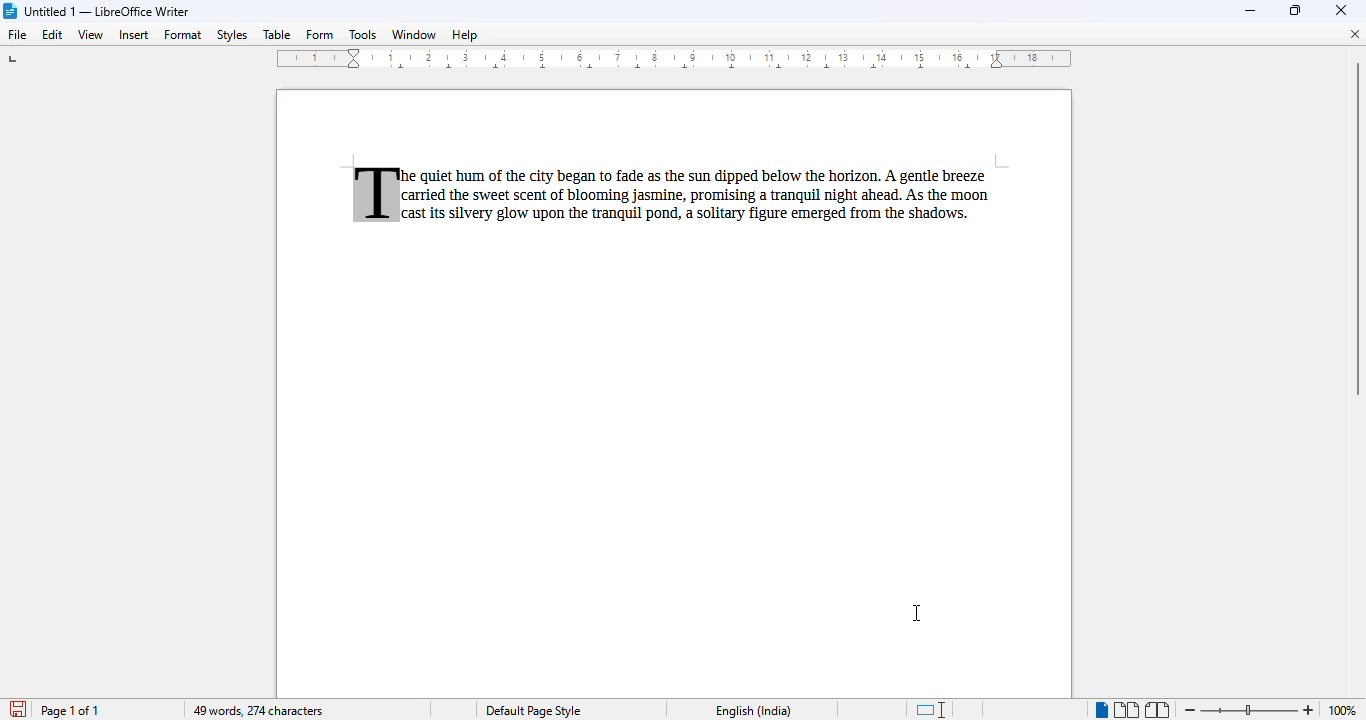 The image size is (1366, 720). What do you see at coordinates (70, 711) in the screenshot?
I see `page 1 of 1` at bounding box center [70, 711].